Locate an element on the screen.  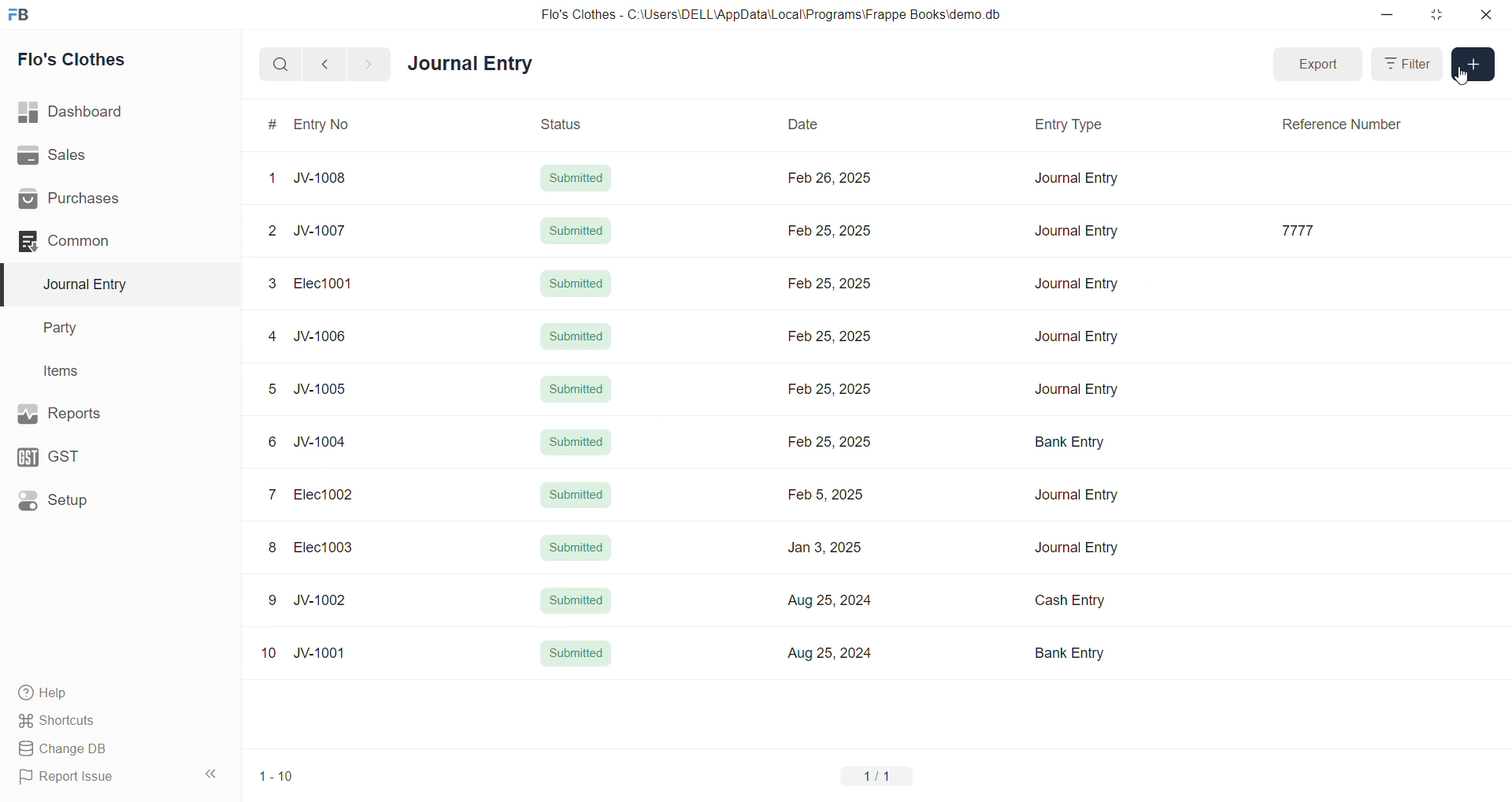
search is located at coordinates (278, 66).